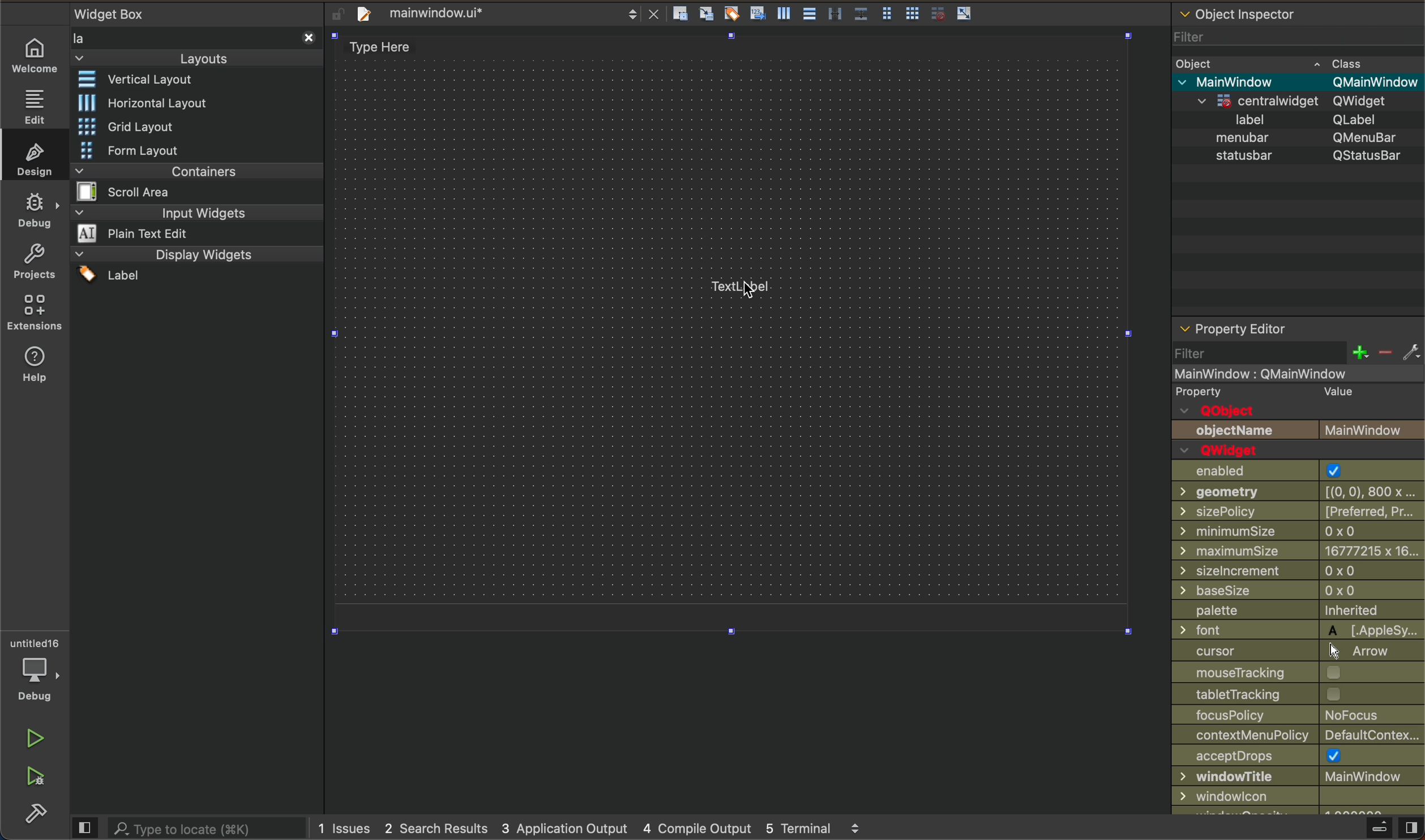 The width and height of the screenshot is (1425, 840). Describe the element at coordinates (832, 12) in the screenshot. I see `layout actions` at that location.